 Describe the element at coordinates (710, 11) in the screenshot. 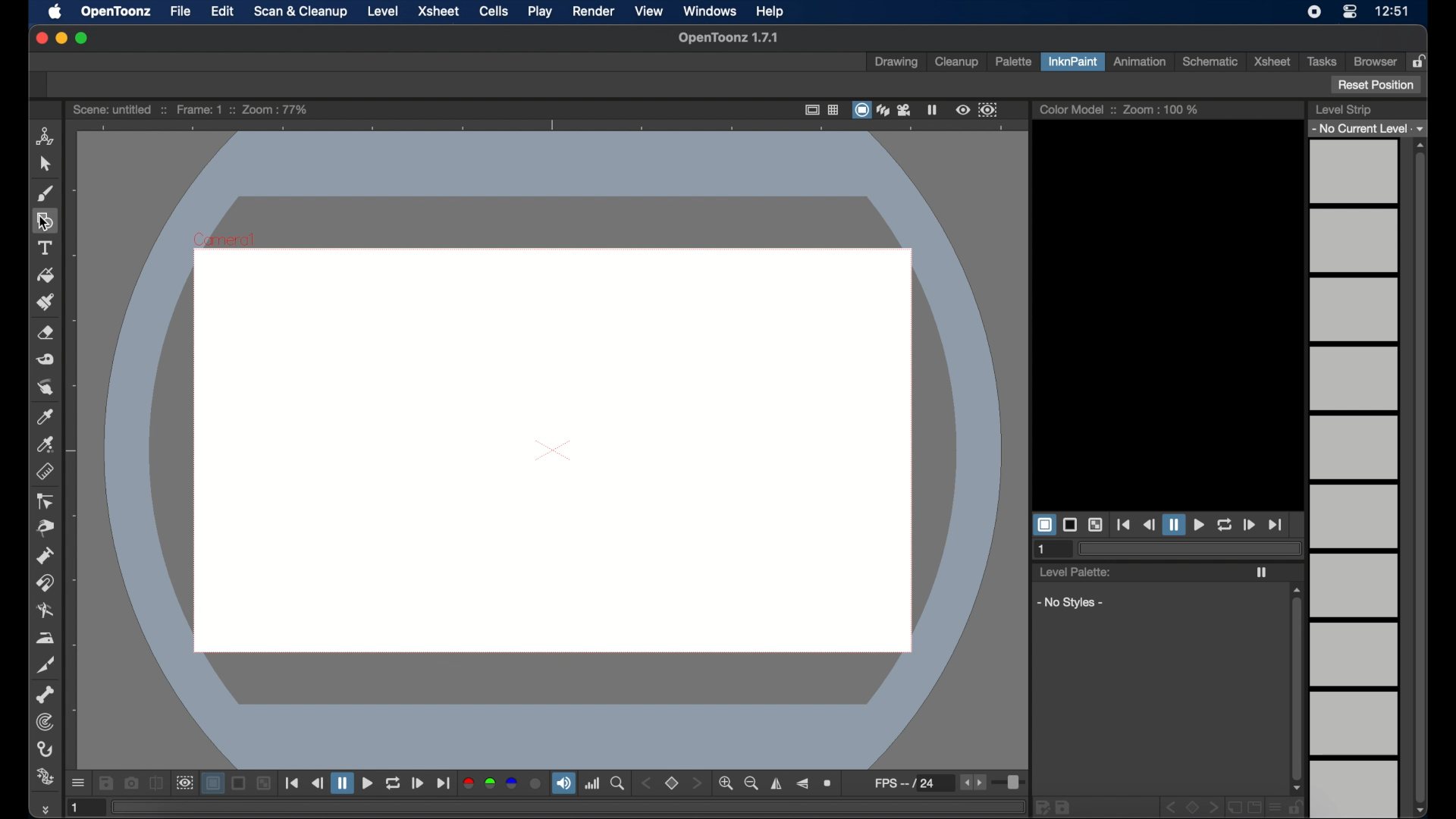

I see `windows` at that location.